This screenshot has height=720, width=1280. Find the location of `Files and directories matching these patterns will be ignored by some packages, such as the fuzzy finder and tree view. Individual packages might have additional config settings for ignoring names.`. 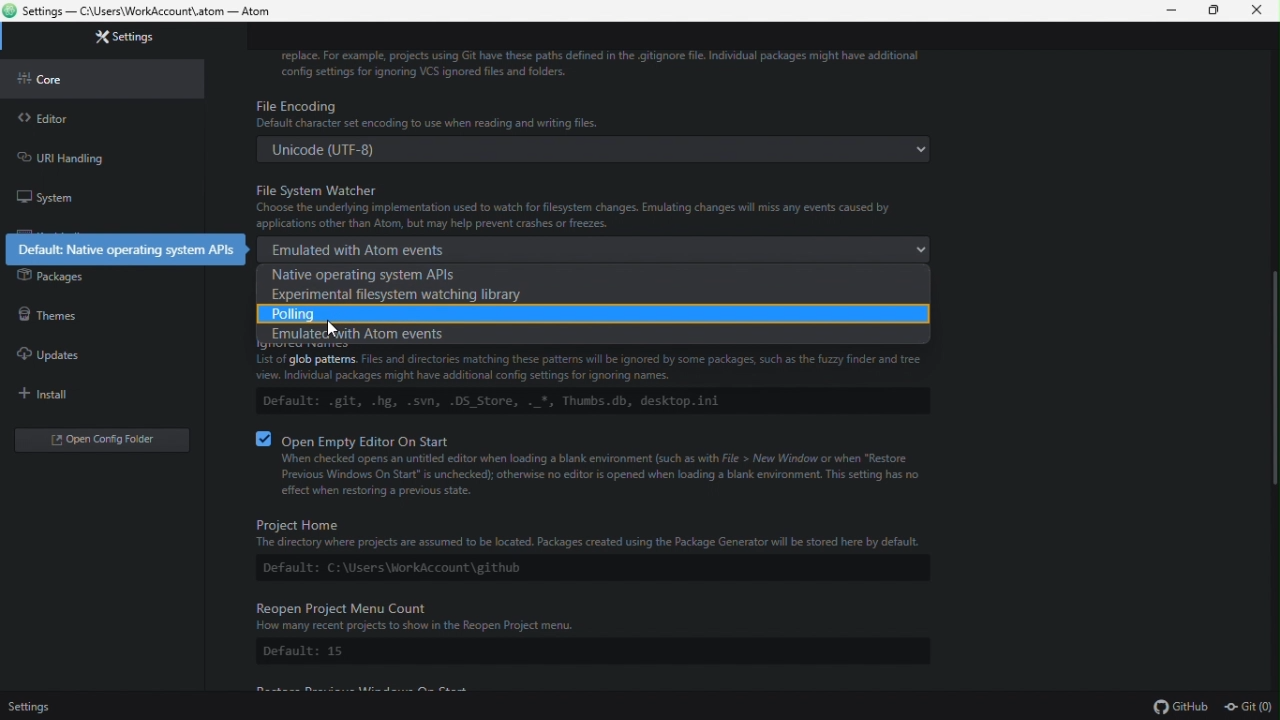

Files and directories matching these patterns will be ignored by some packages, such as the fuzzy finder and tree view. Individual packages might have additional config settings for ignoring names. is located at coordinates (605, 370).